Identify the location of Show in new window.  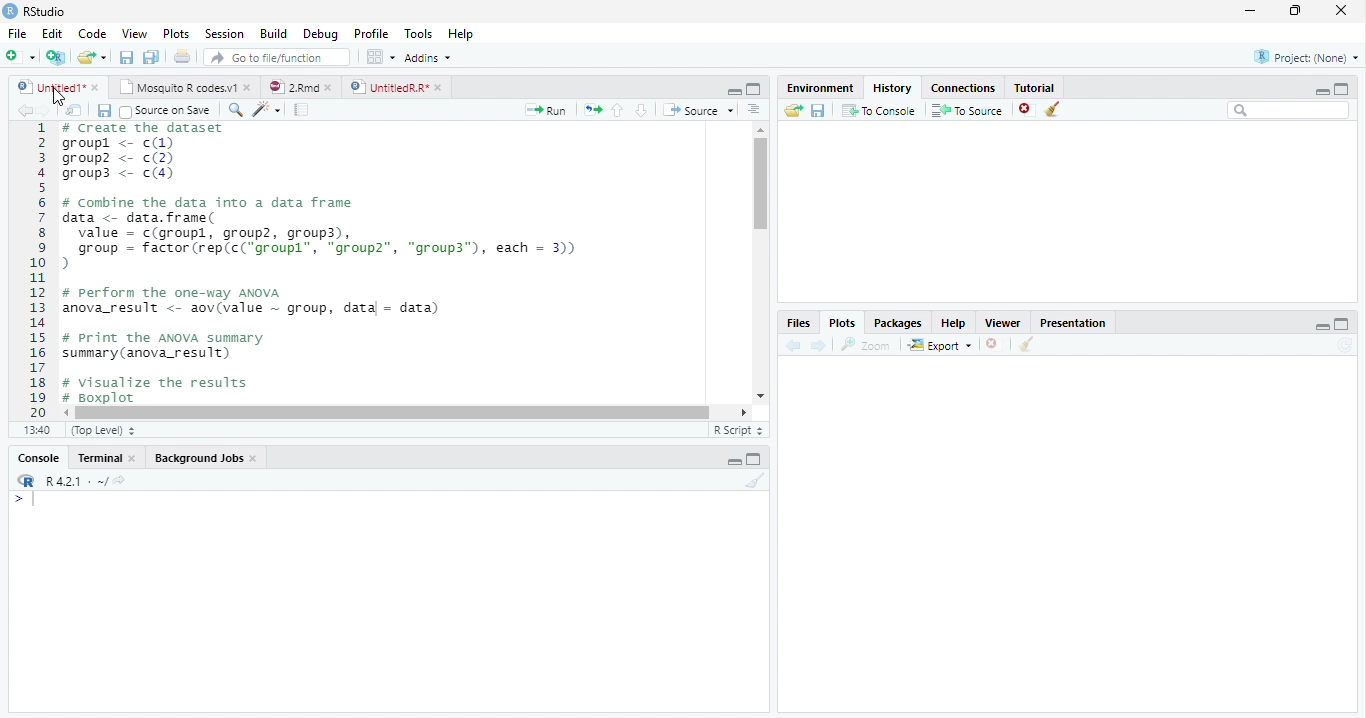
(77, 112).